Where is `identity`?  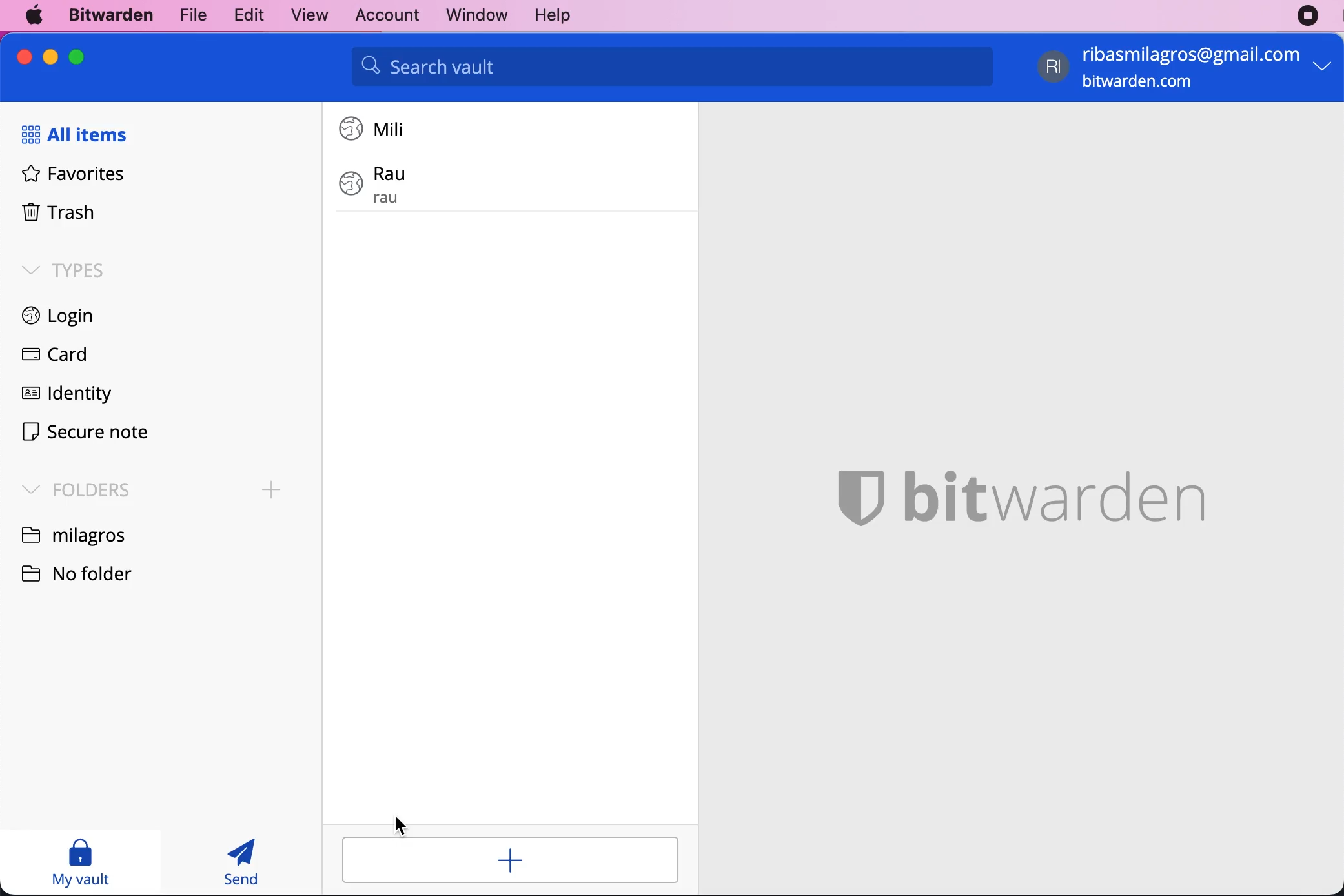 identity is located at coordinates (63, 396).